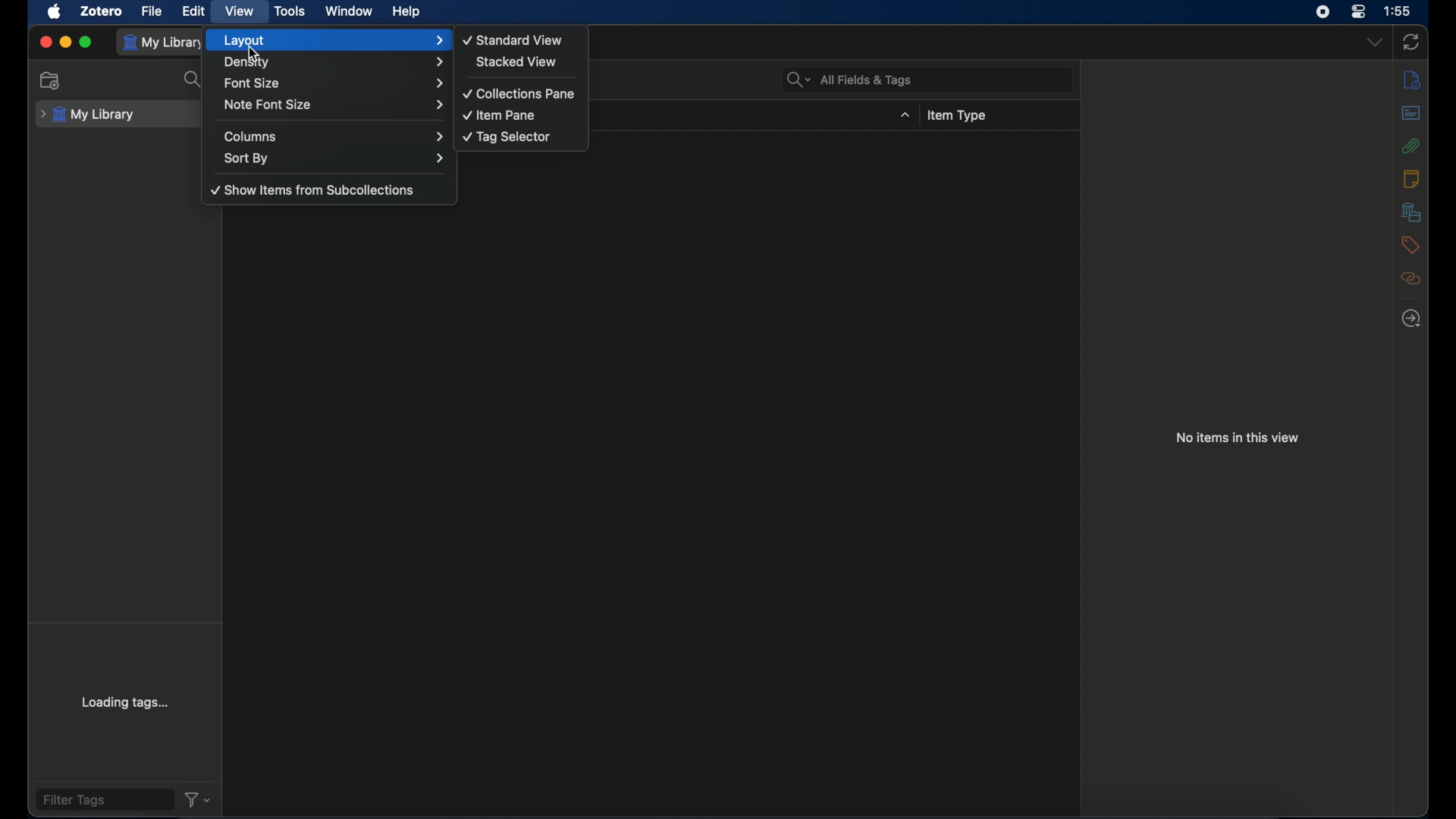 This screenshot has height=819, width=1456. I want to click on sort by, so click(336, 158).